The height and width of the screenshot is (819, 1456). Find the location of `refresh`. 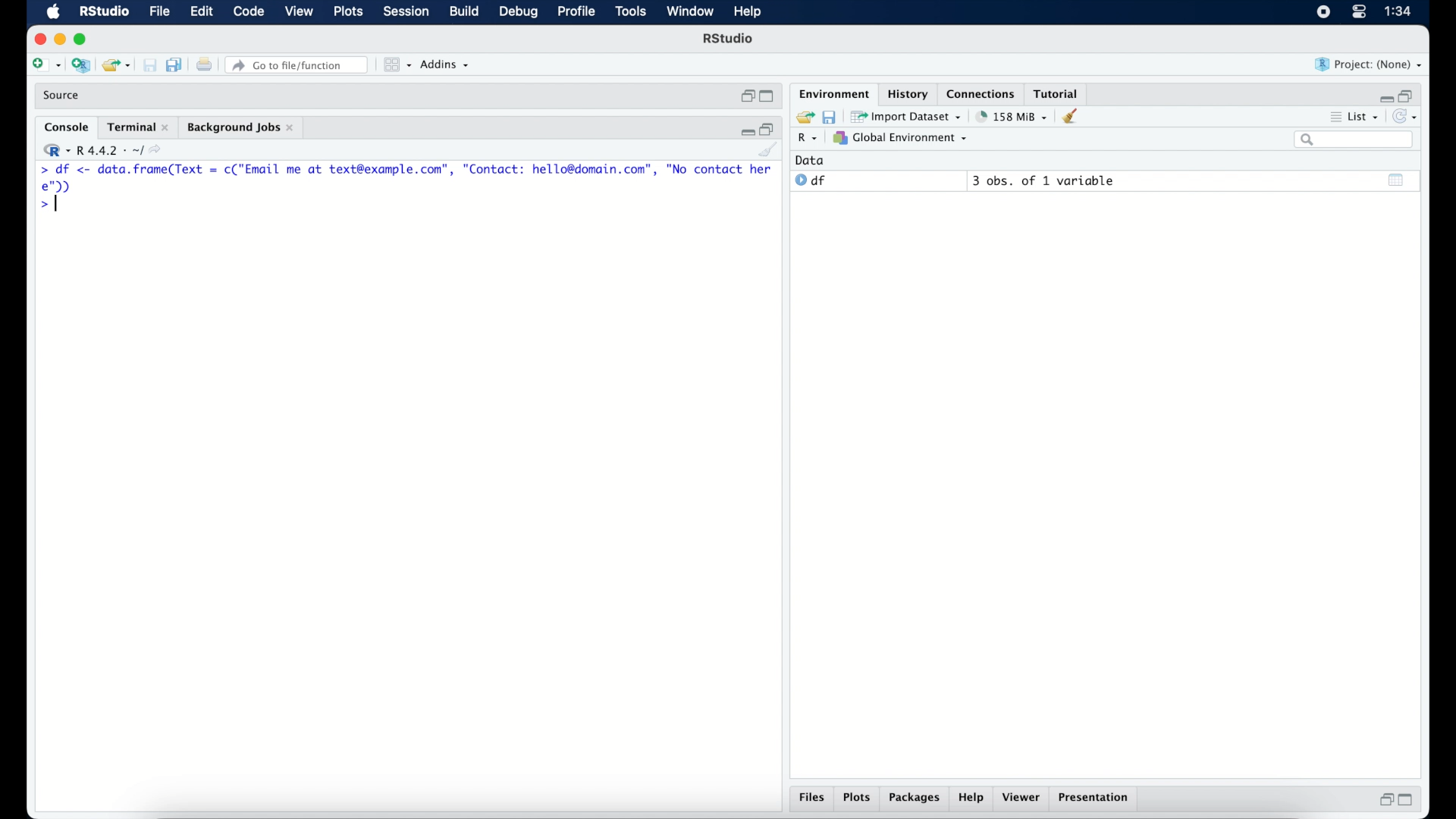

refresh is located at coordinates (1409, 117).